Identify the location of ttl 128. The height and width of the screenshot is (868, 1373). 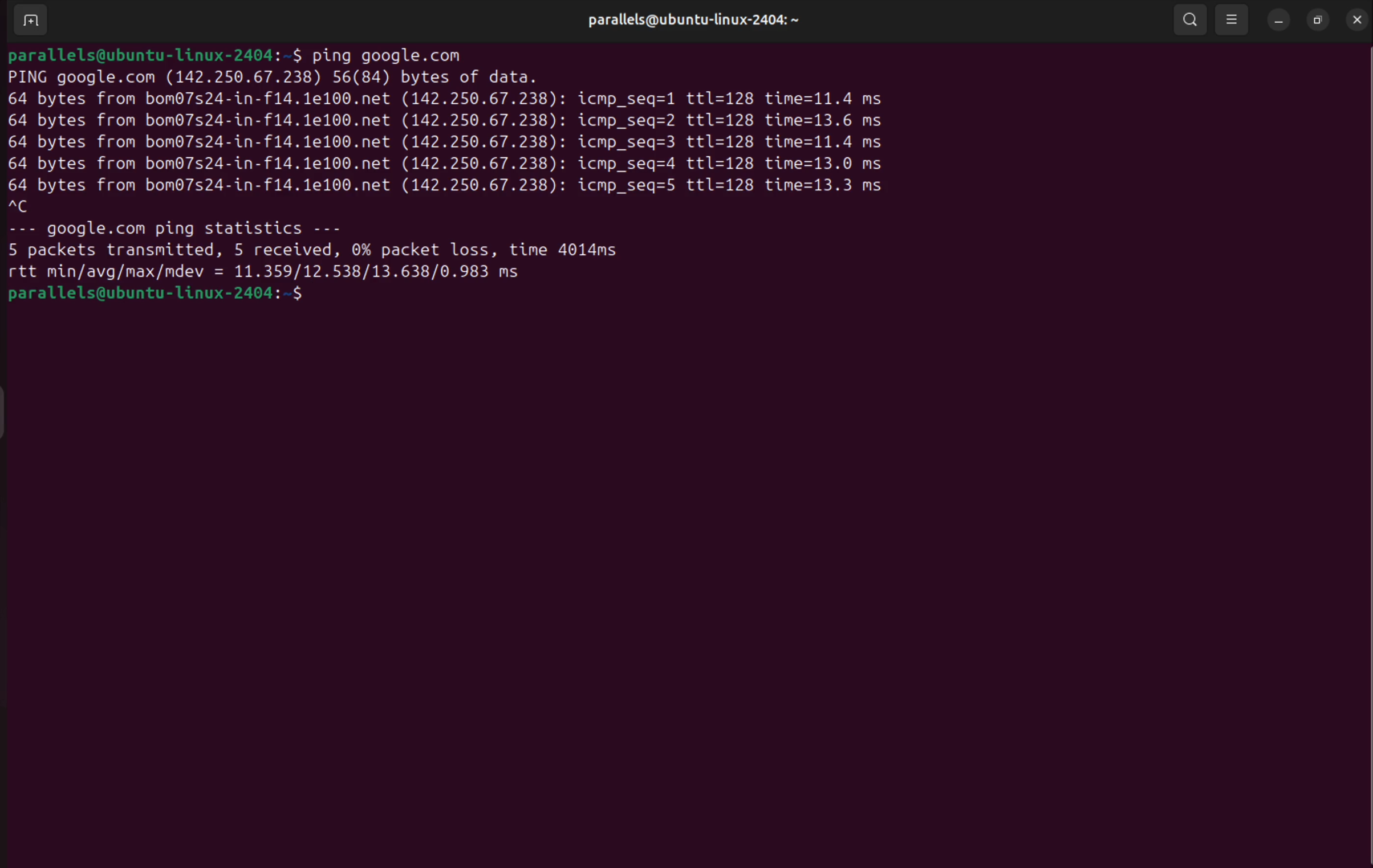
(720, 98).